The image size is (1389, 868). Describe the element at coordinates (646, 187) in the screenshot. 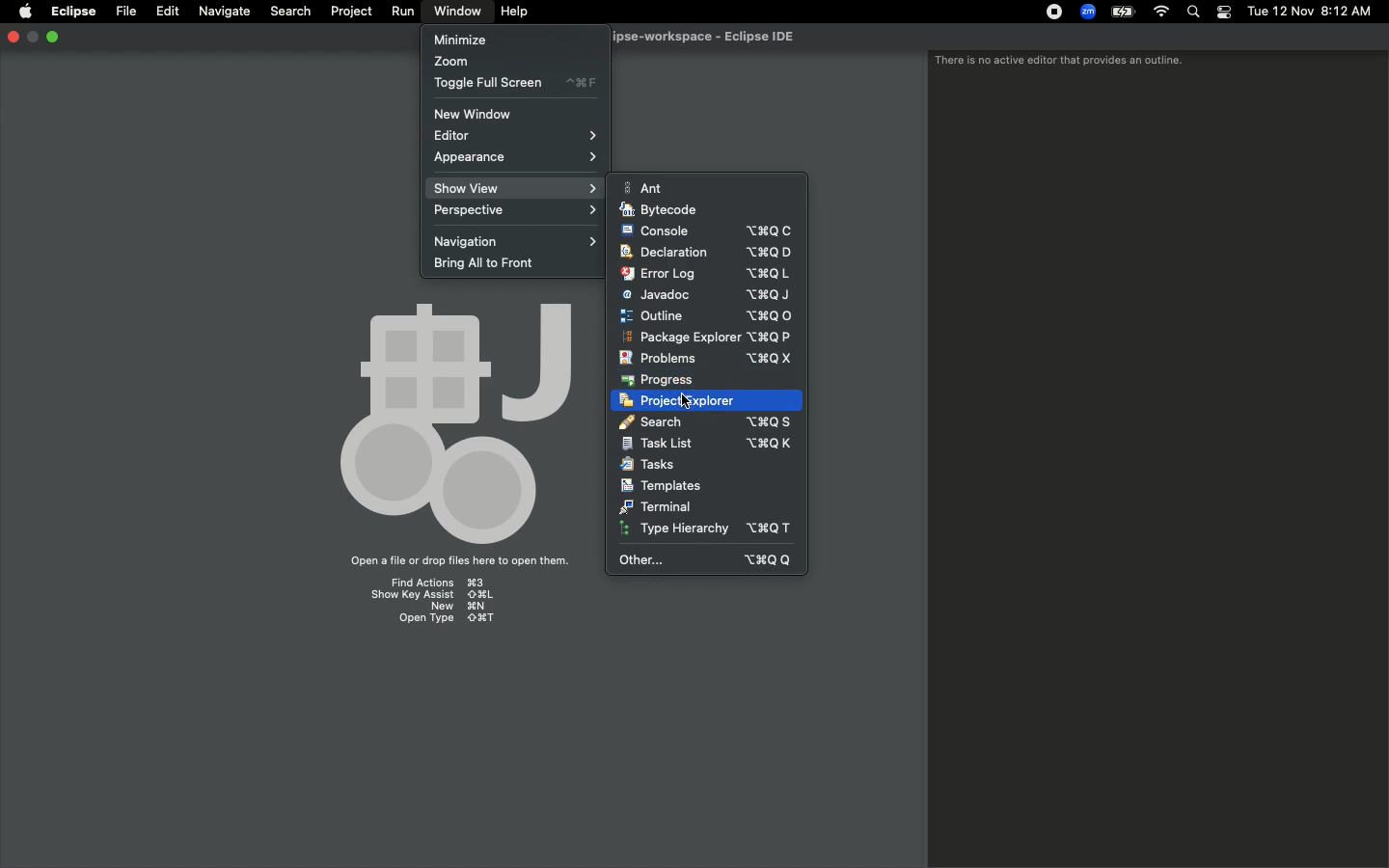

I see `Ant` at that location.